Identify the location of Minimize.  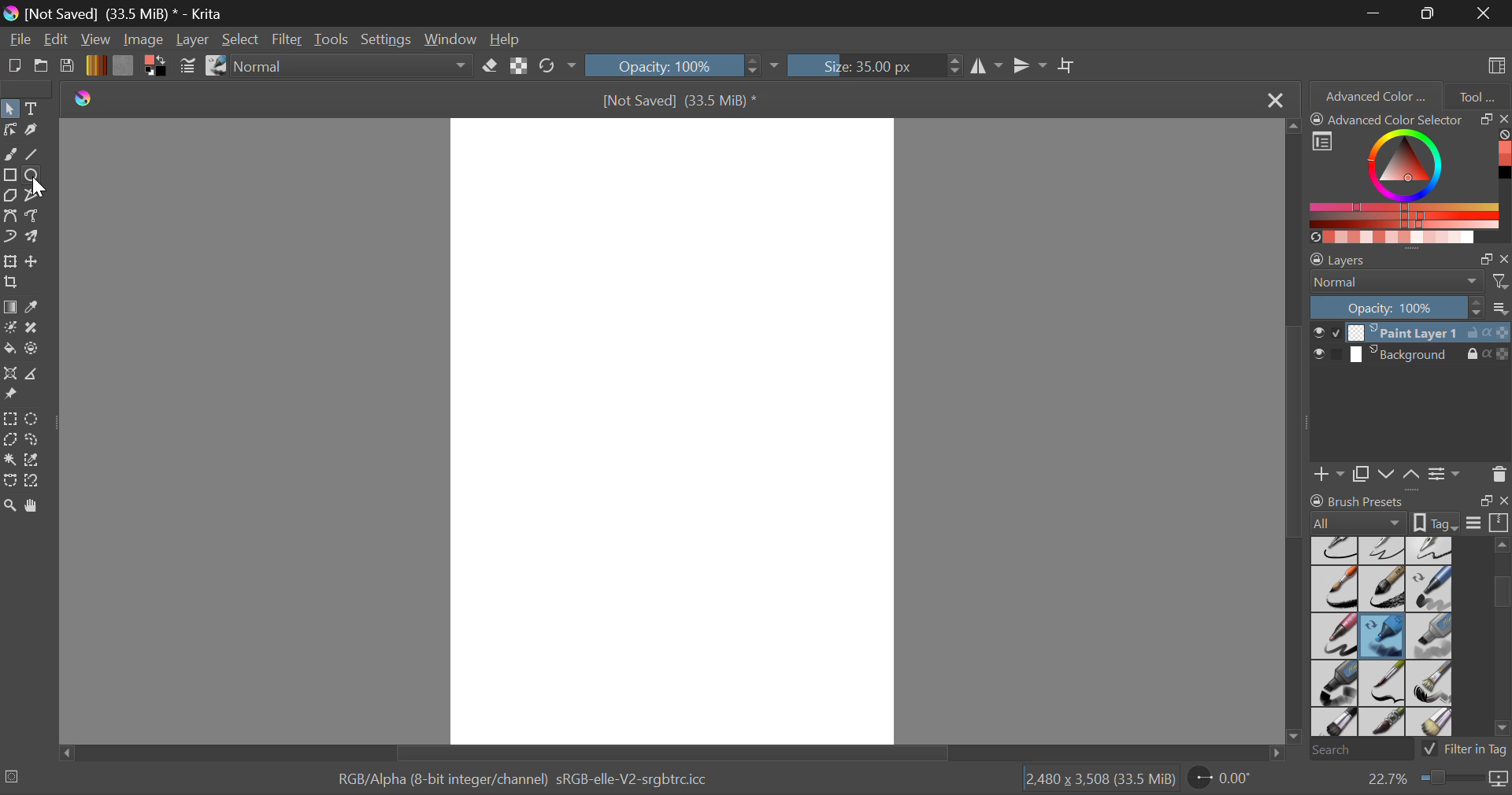
(1431, 13).